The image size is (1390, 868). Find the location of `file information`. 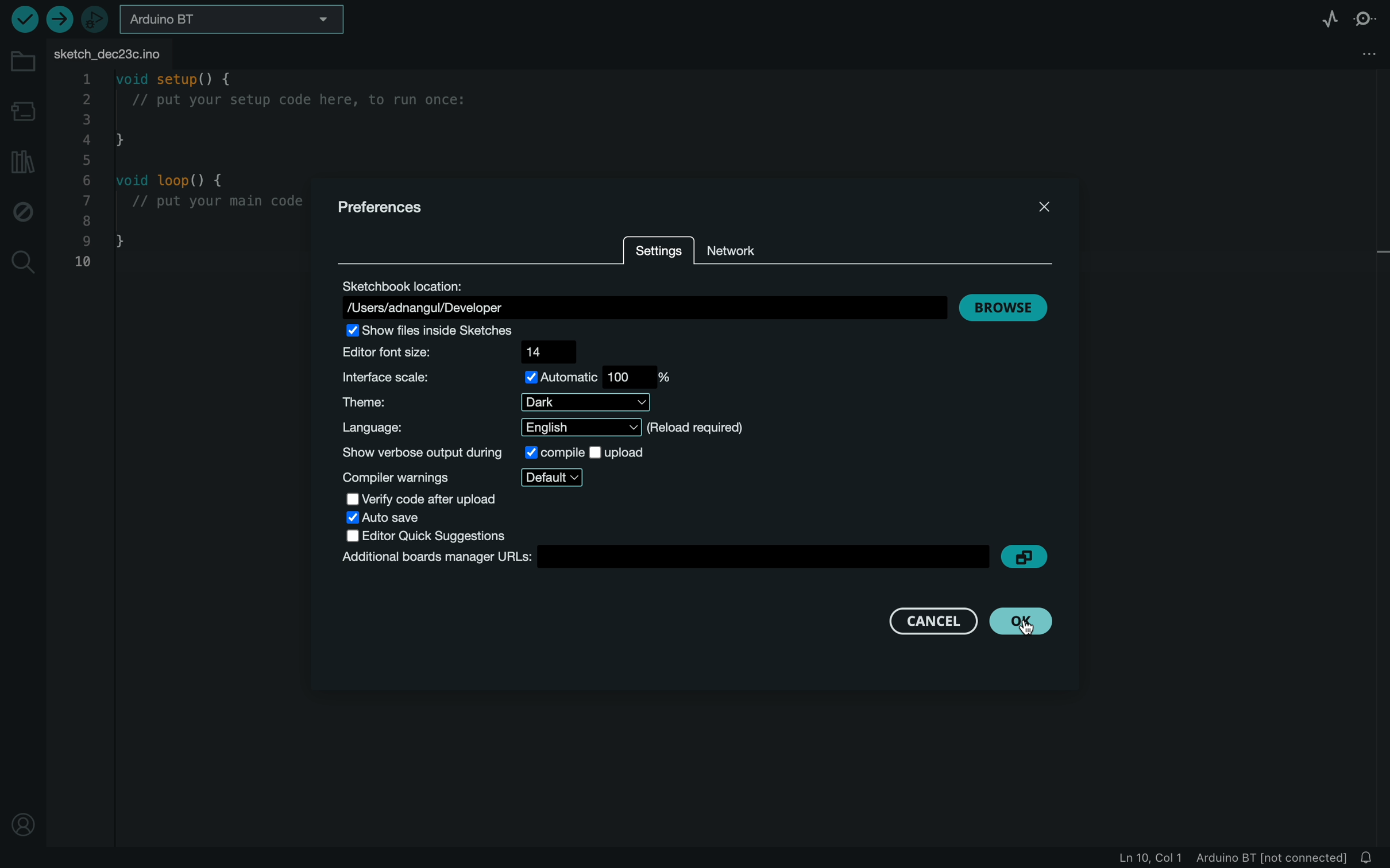

file information is located at coordinates (1232, 858).